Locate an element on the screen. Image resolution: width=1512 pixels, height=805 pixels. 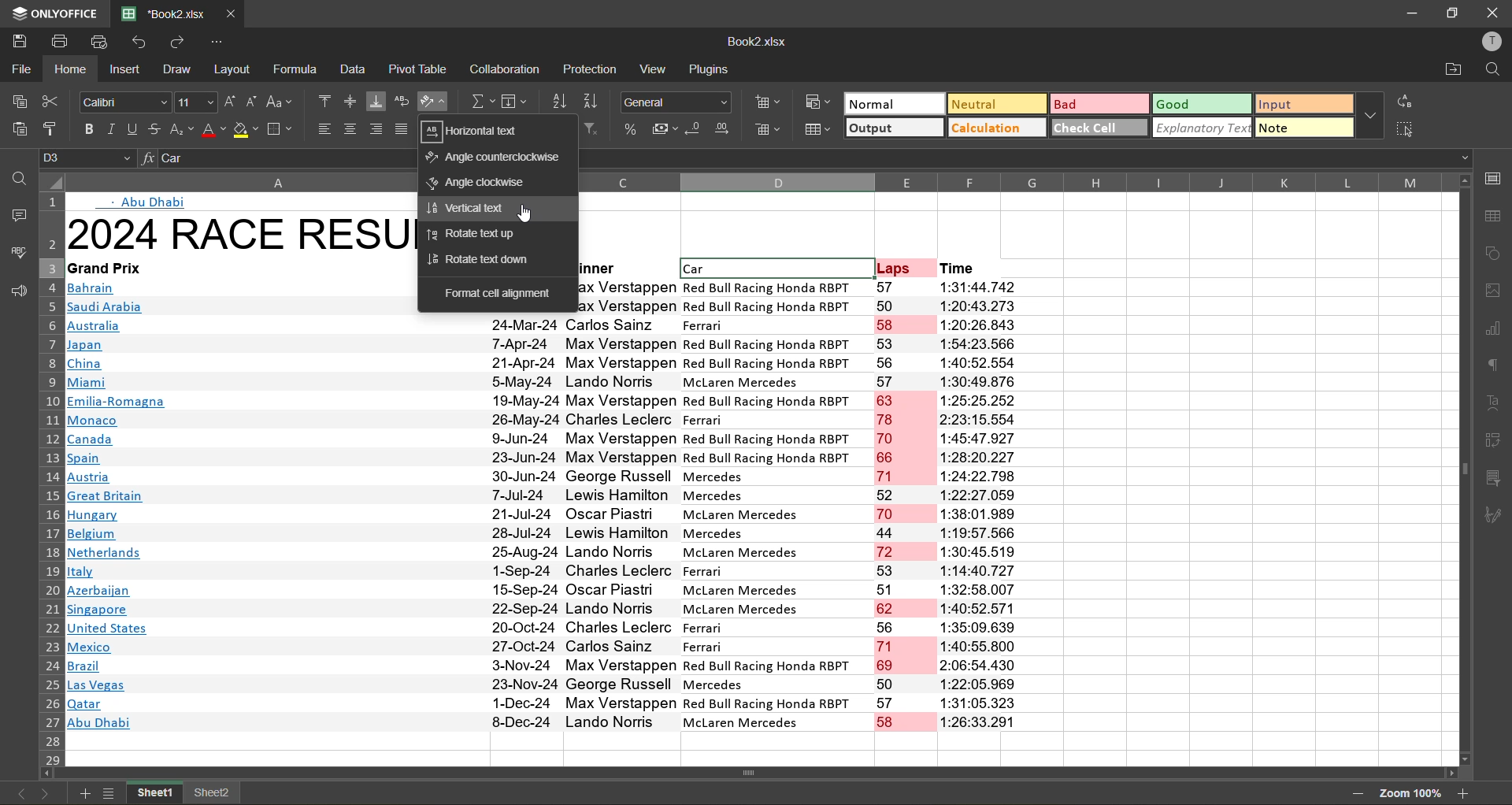
comments is located at coordinates (17, 216).